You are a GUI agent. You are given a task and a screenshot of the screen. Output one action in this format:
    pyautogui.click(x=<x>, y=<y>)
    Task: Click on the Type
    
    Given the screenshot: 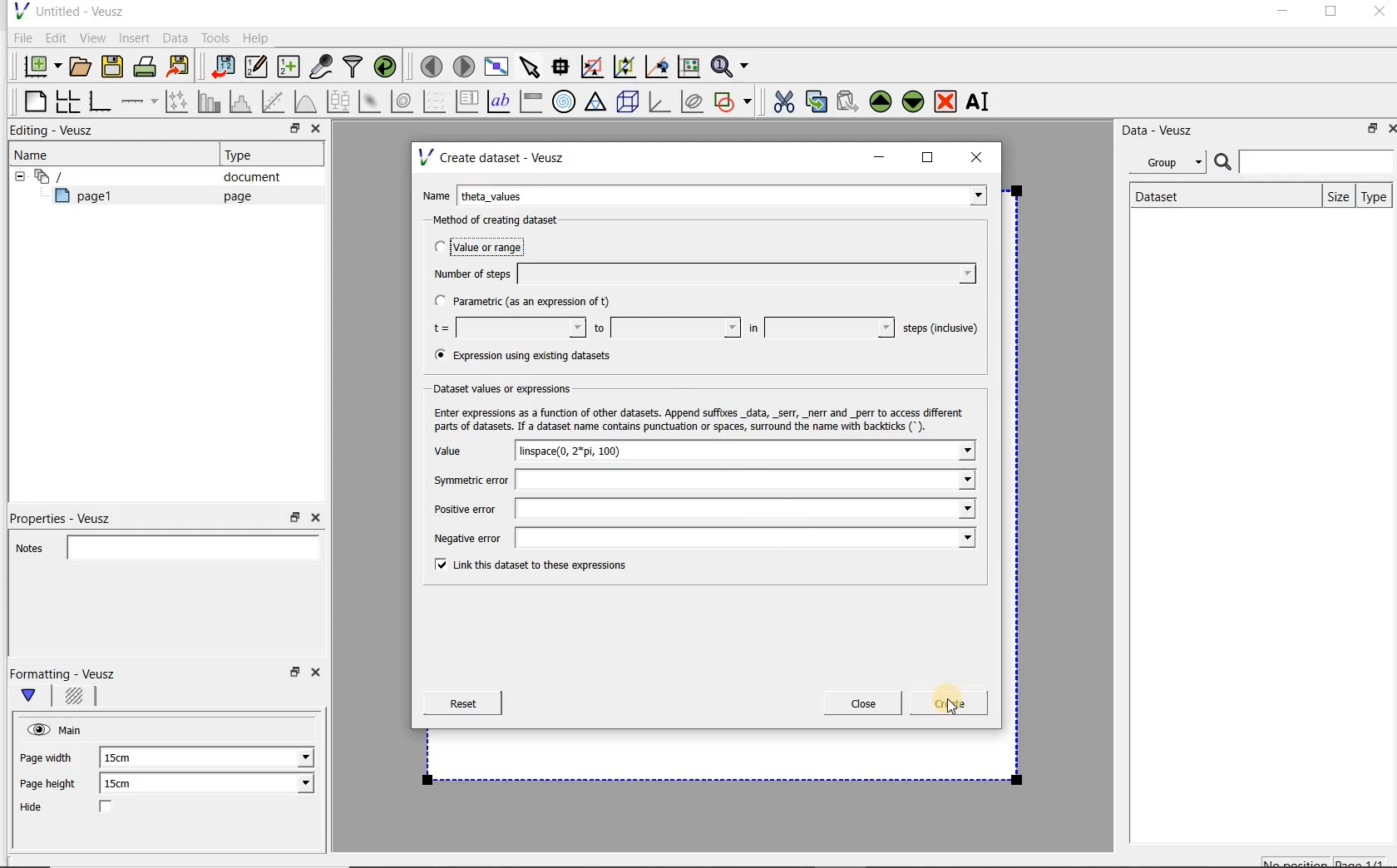 What is the action you would take?
    pyautogui.click(x=245, y=155)
    